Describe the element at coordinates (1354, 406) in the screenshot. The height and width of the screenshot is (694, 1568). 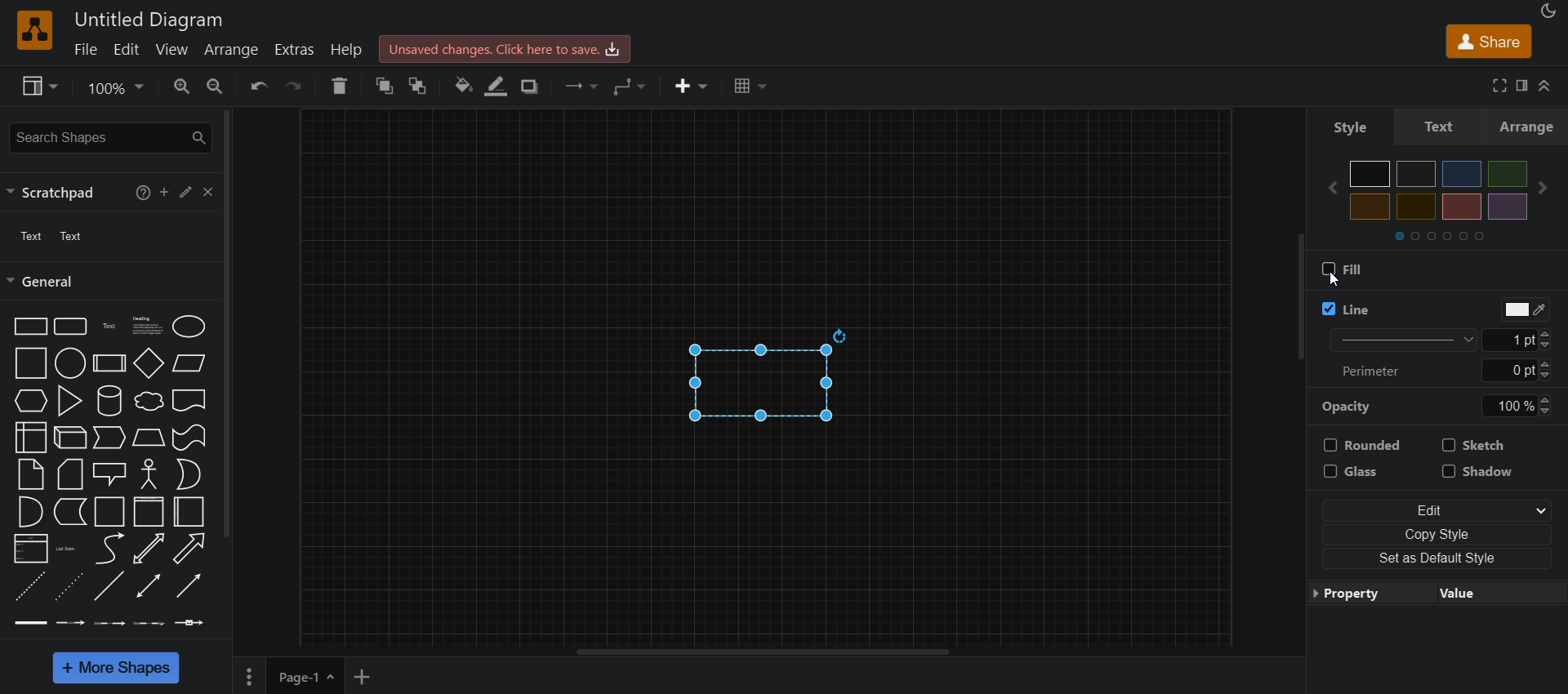
I see `opacity` at that location.